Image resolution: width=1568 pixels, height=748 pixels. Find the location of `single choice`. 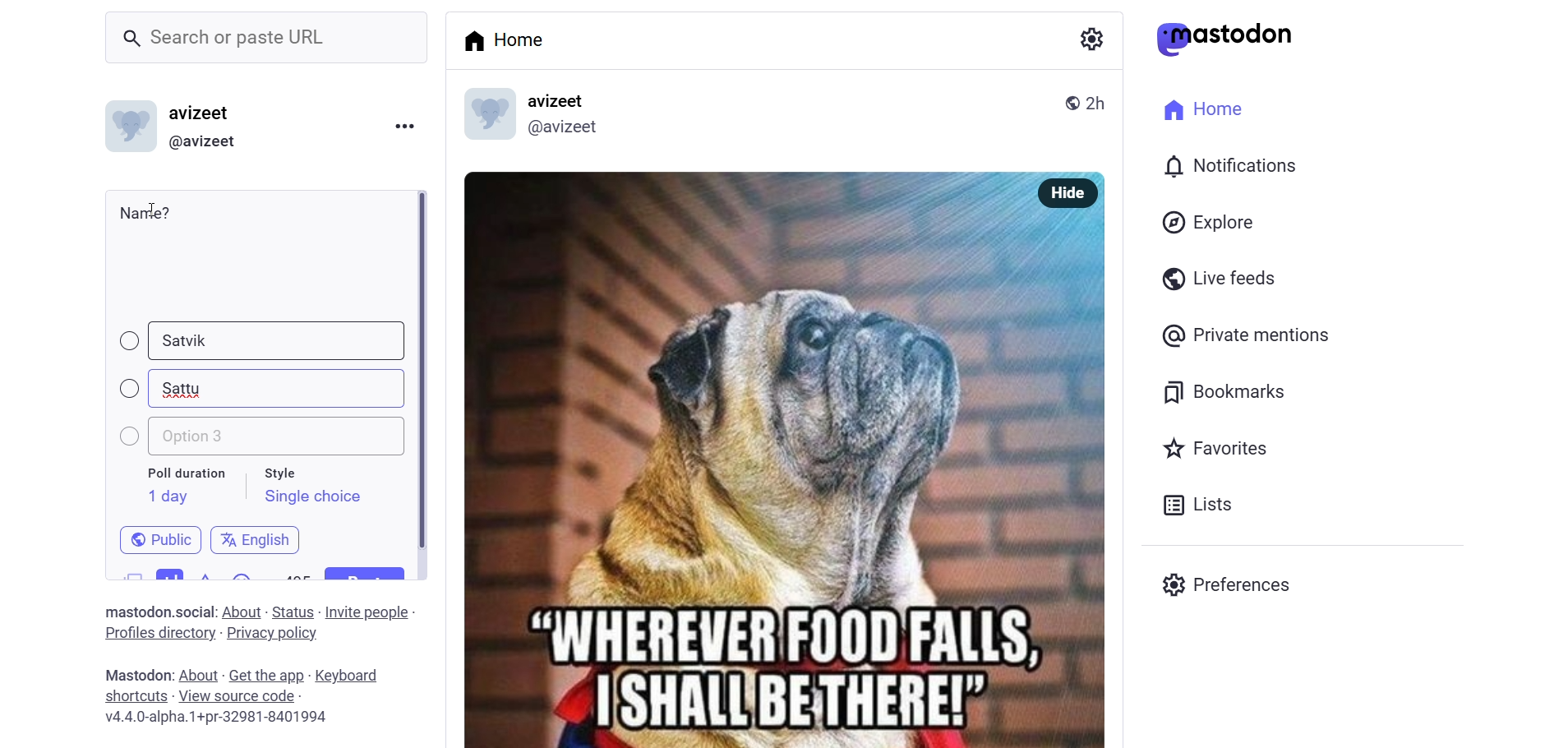

single choice is located at coordinates (312, 496).